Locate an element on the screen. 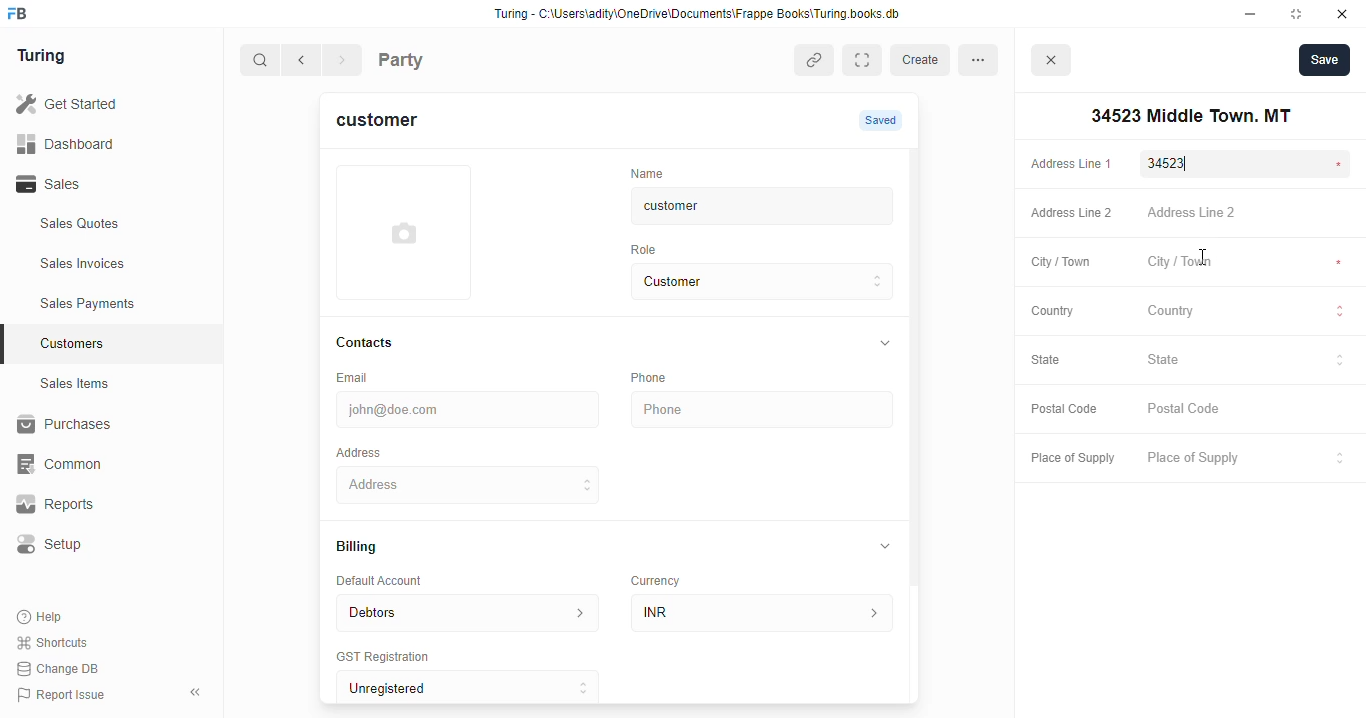 Image resolution: width=1366 pixels, height=718 pixels. search is located at coordinates (261, 62).